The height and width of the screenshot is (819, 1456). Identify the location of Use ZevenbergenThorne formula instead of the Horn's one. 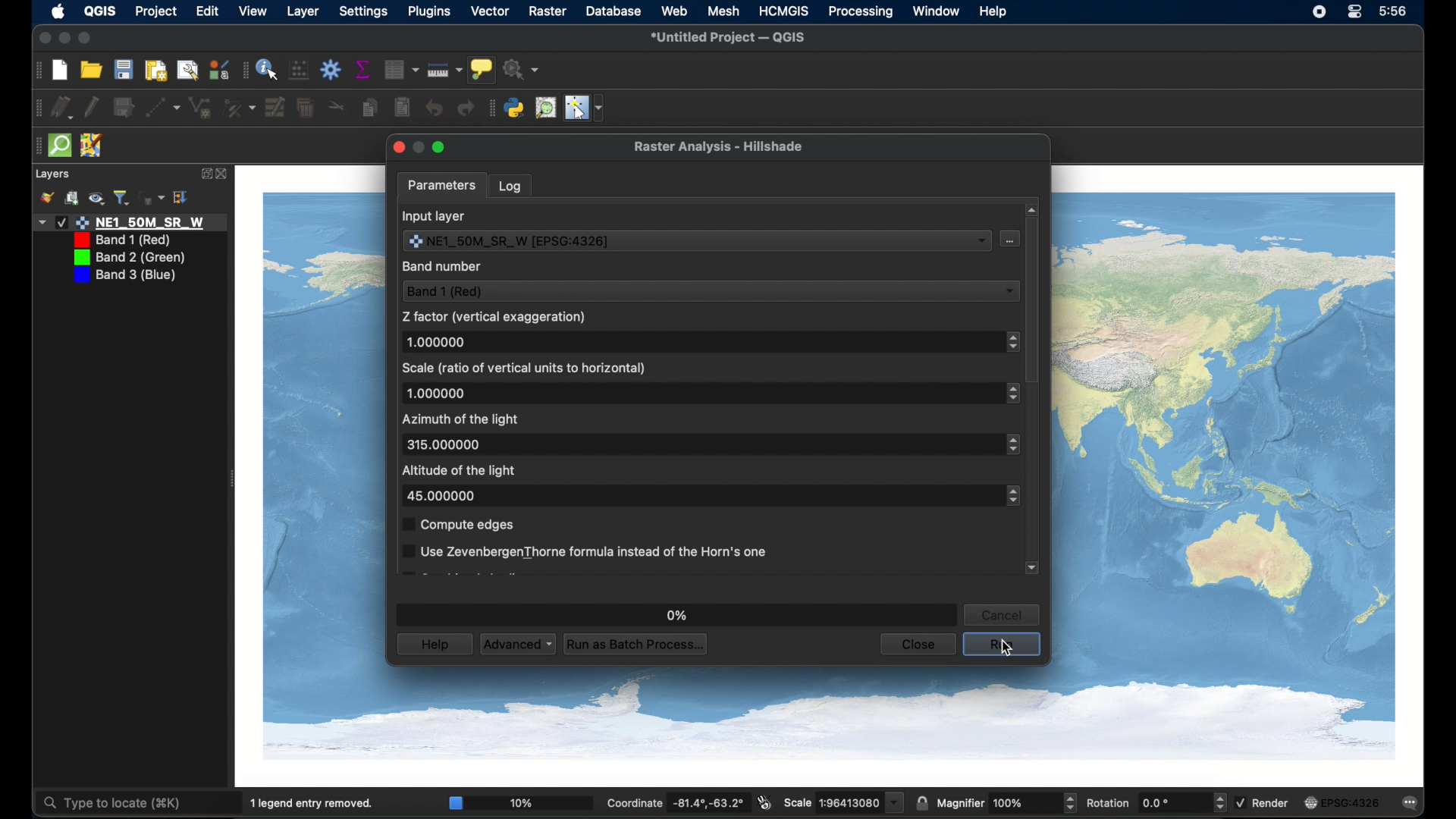
(585, 552).